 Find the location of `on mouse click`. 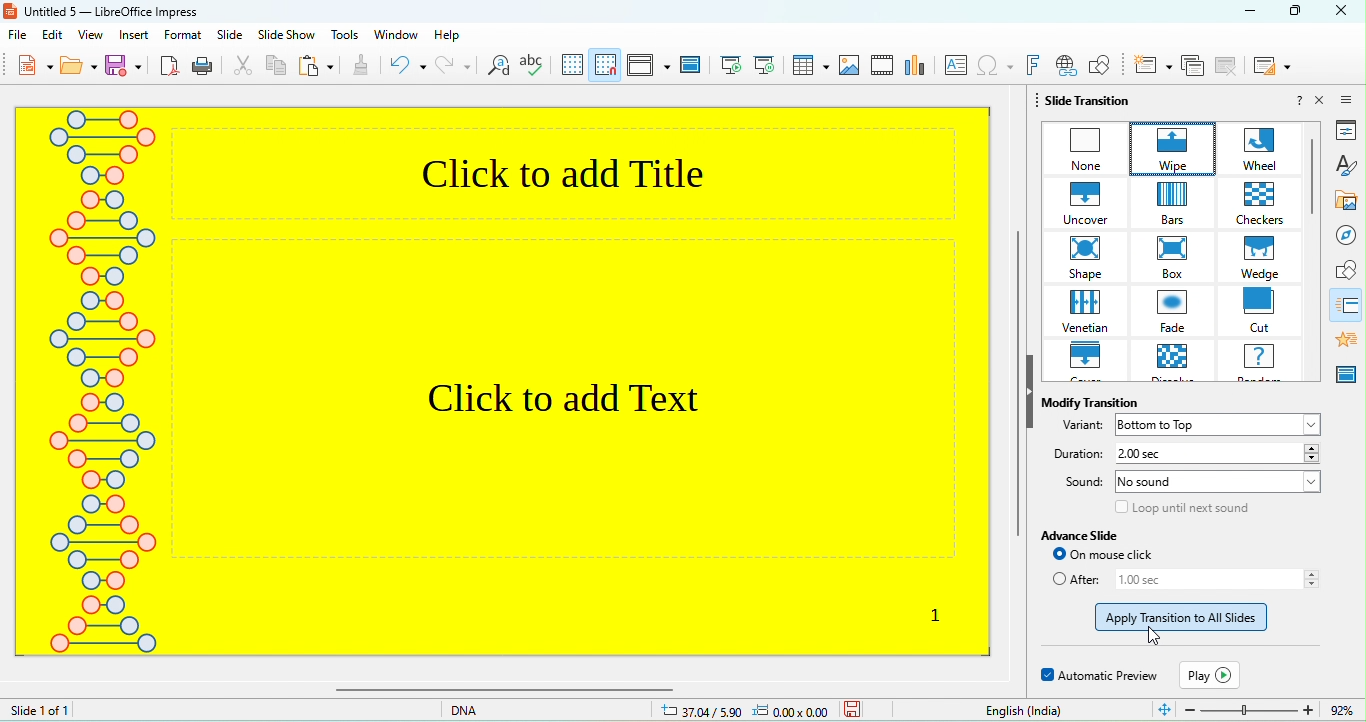

on mouse click is located at coordinates (1133, 557).